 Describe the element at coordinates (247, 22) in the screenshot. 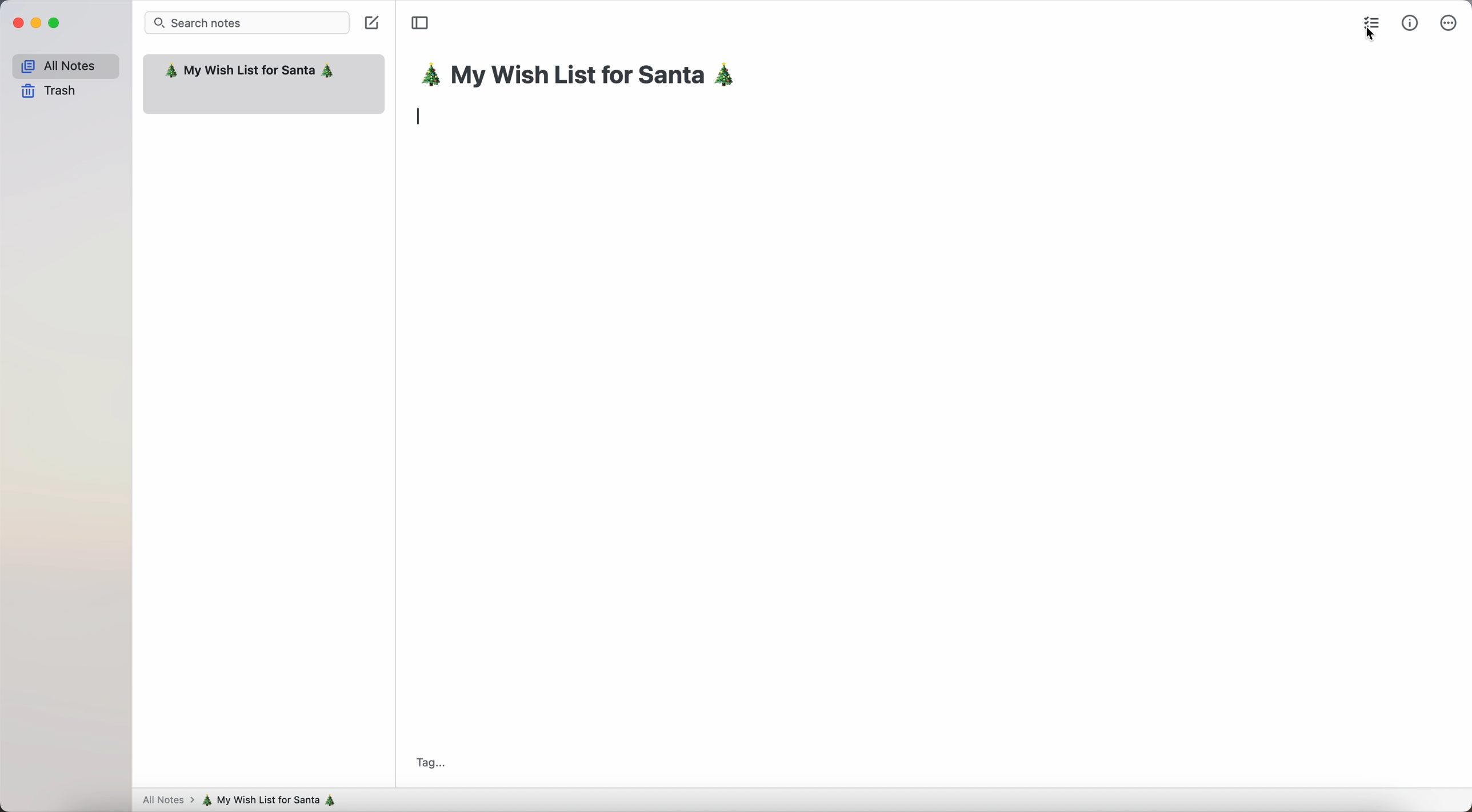

I see `search bar` at that location.